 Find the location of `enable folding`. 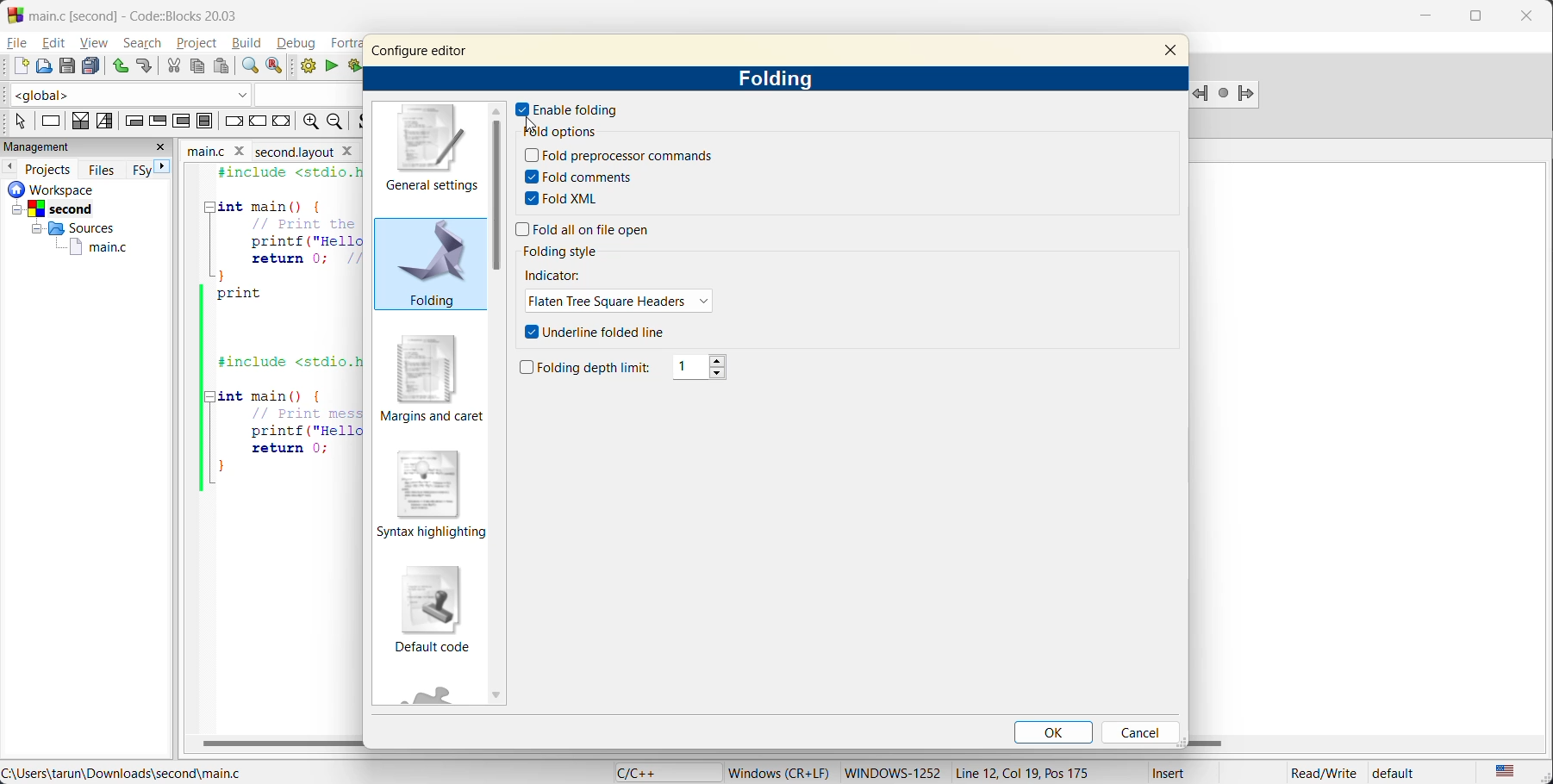

enable folding is located at coordinates (568, 107).